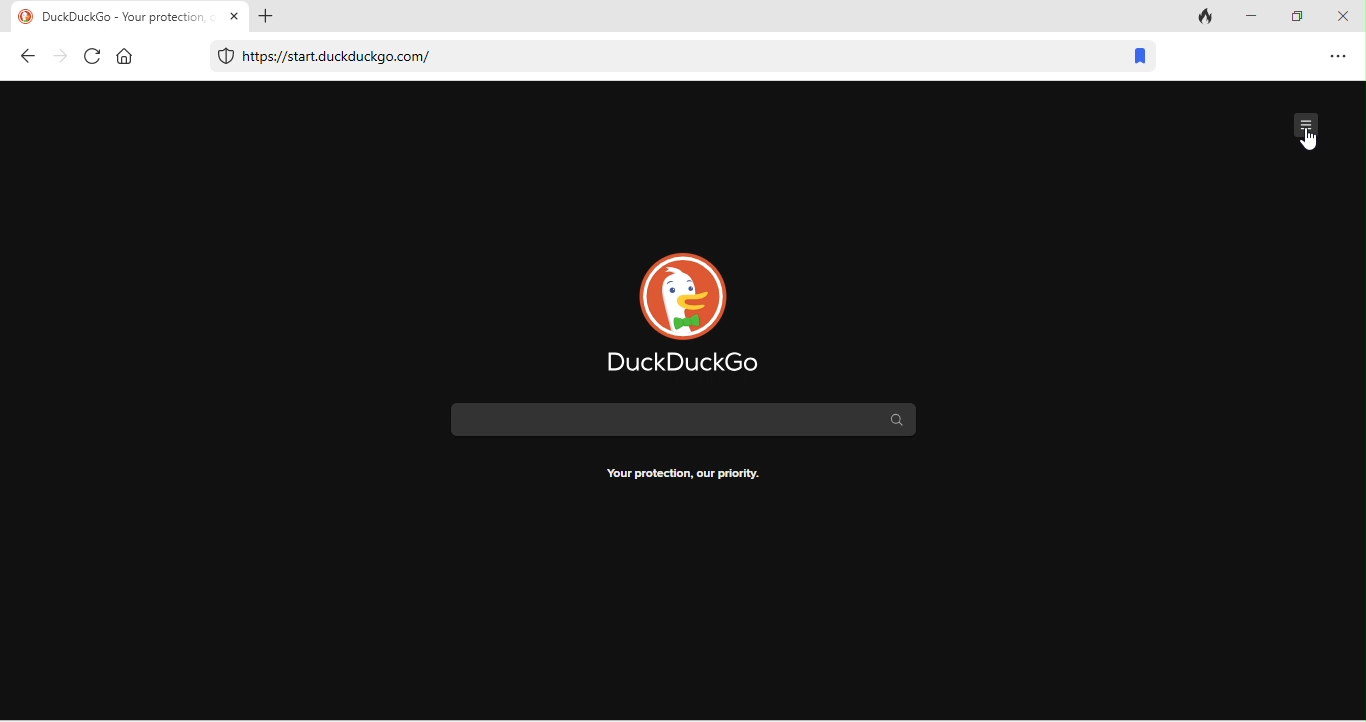 The image size is (1366, 722). I want to click on web link, so click(658, 58).